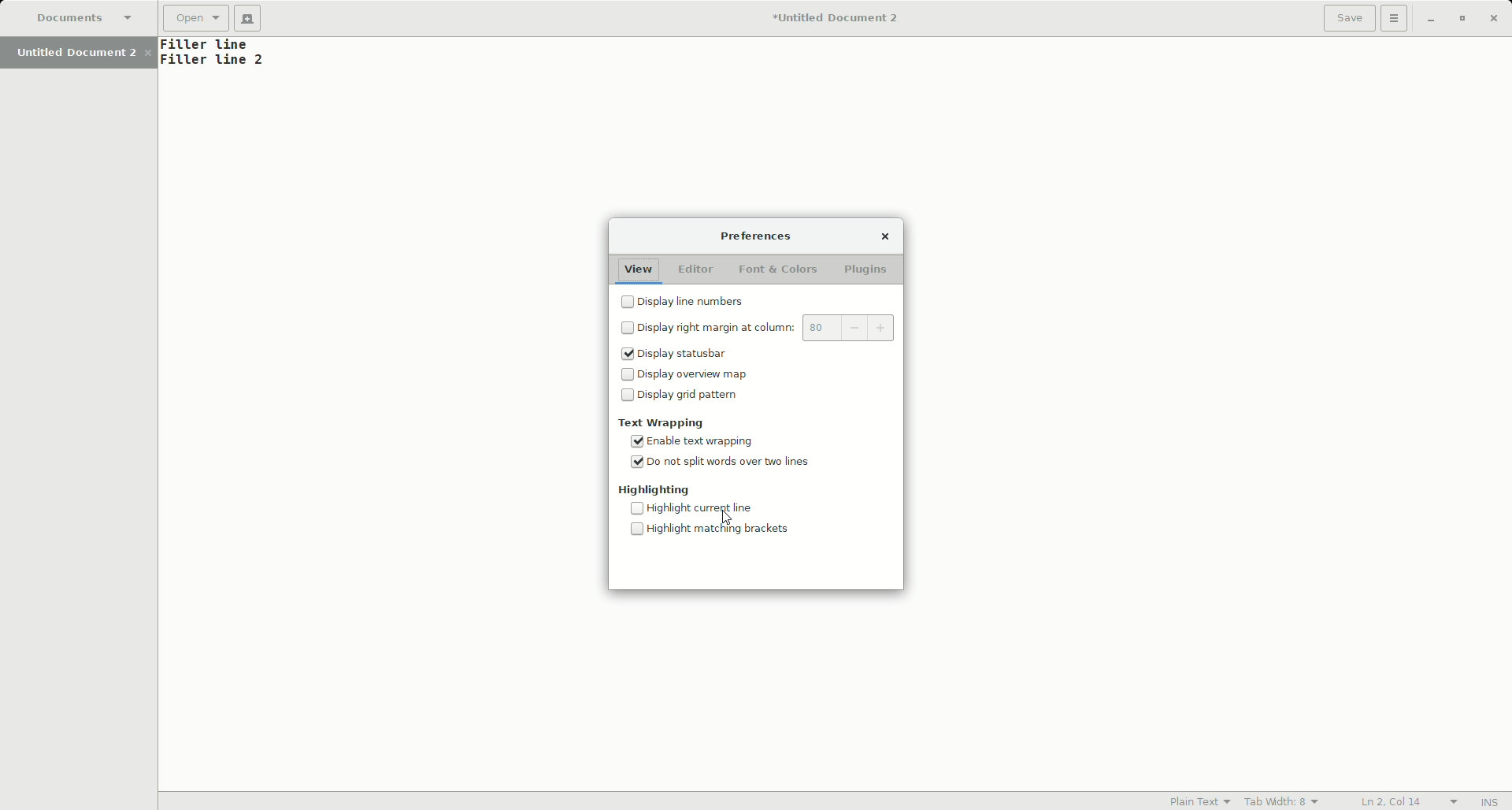  I want to click on Text line 2, so click(214, 61).